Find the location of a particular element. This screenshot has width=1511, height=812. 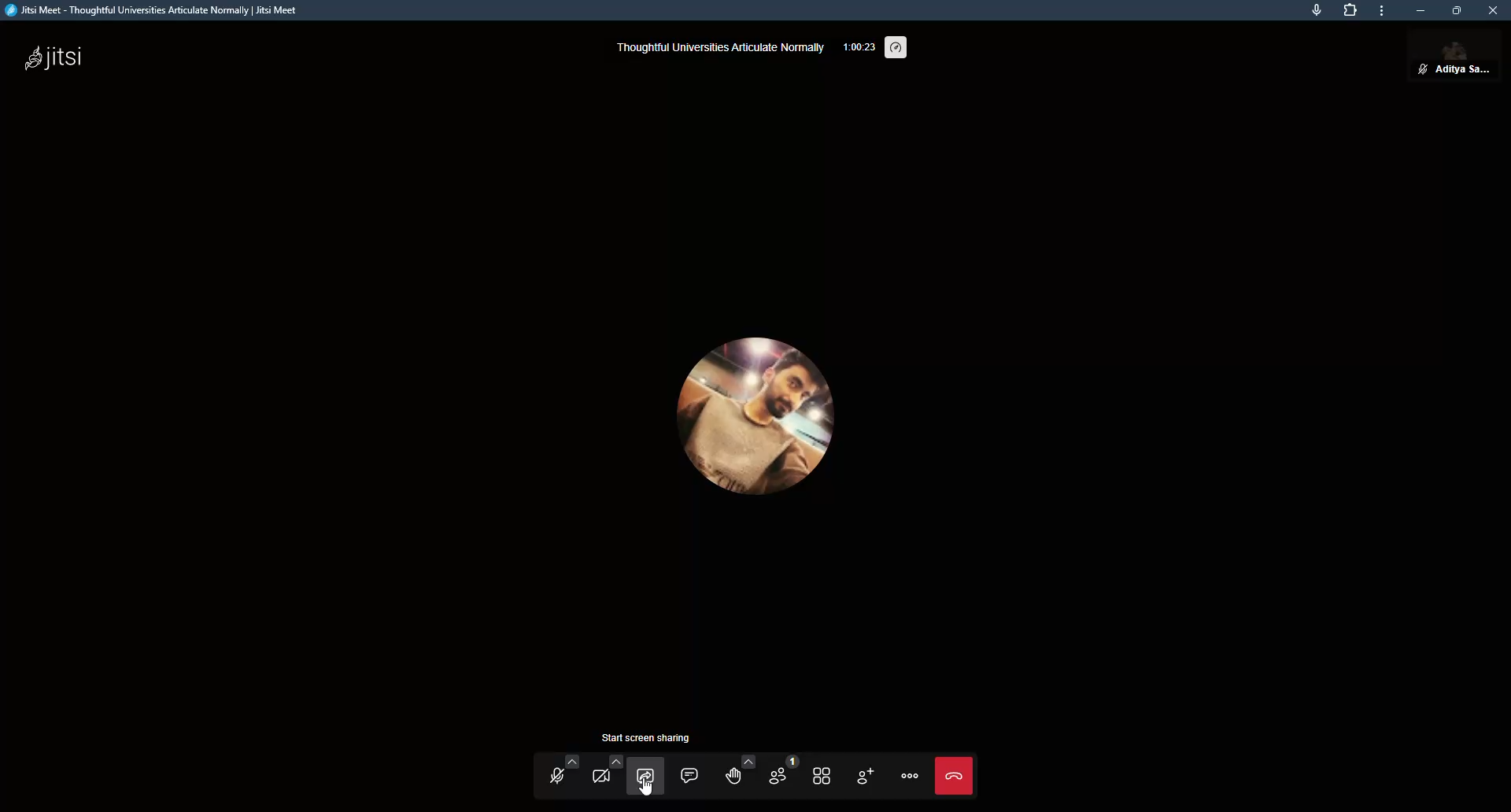

profile picture is located at coordinates (765, 426).